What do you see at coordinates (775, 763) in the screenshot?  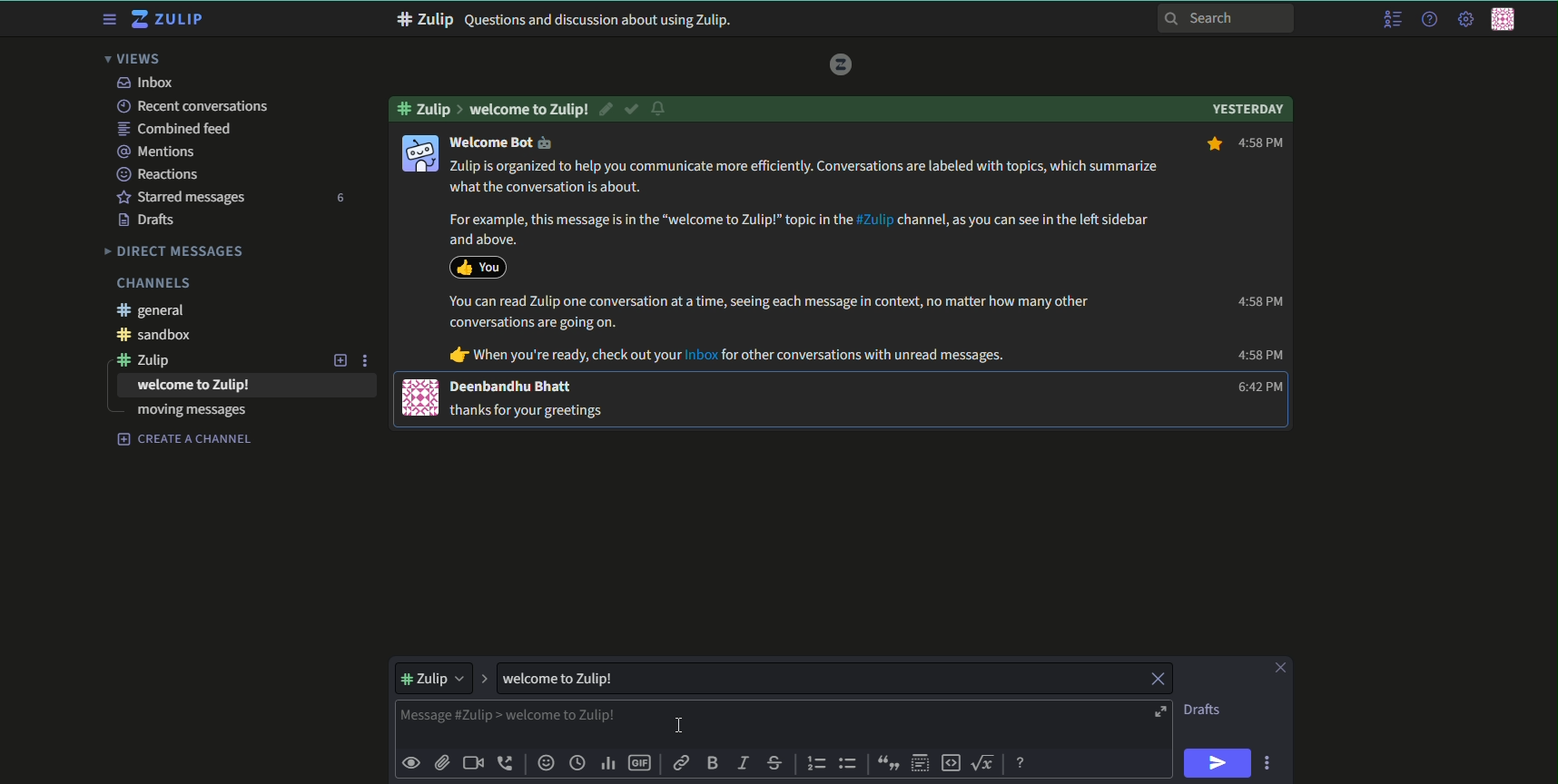 I see `strikethrough` at bounding box center [775, 763].